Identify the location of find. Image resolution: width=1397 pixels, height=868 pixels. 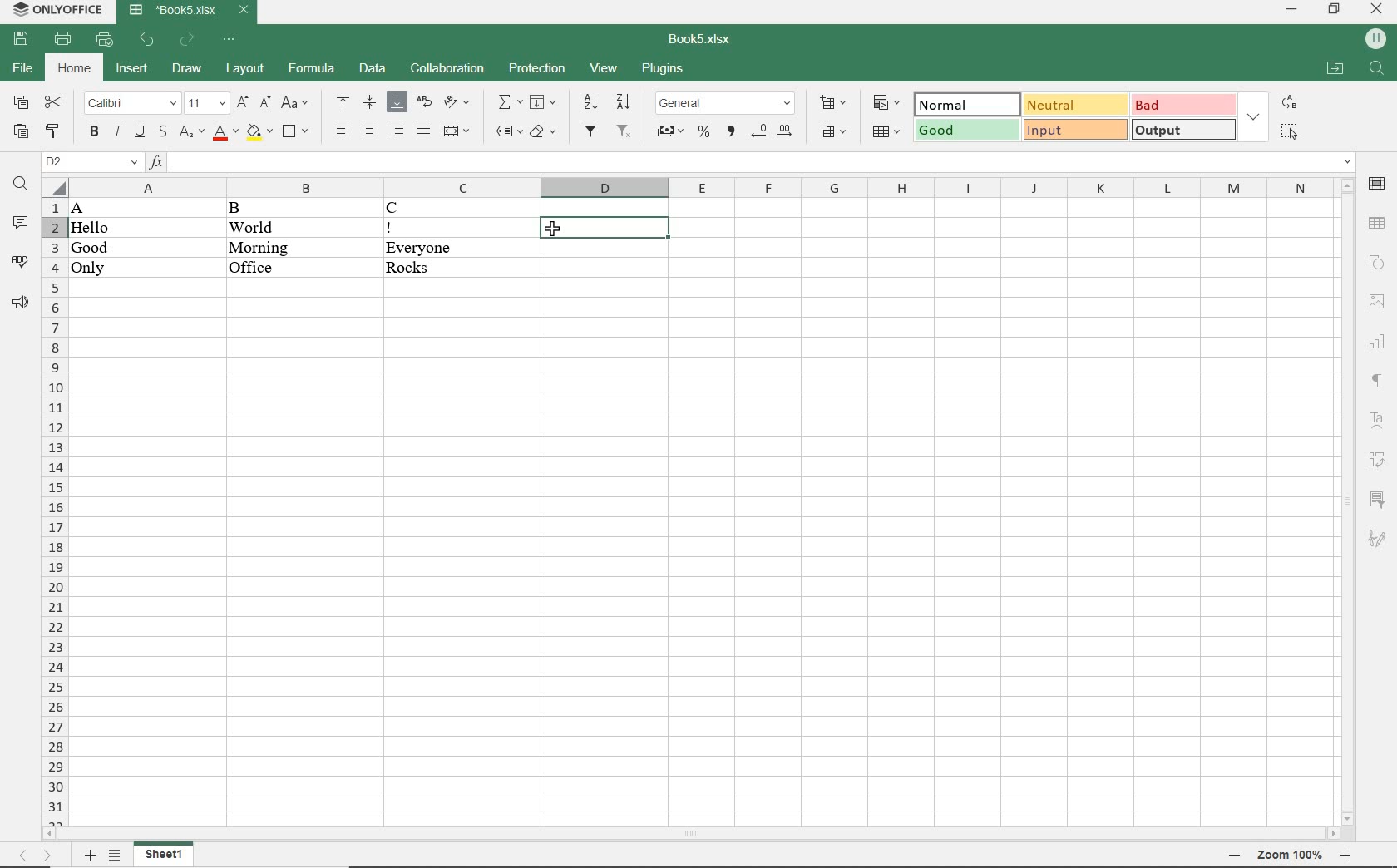
(1379, 68).